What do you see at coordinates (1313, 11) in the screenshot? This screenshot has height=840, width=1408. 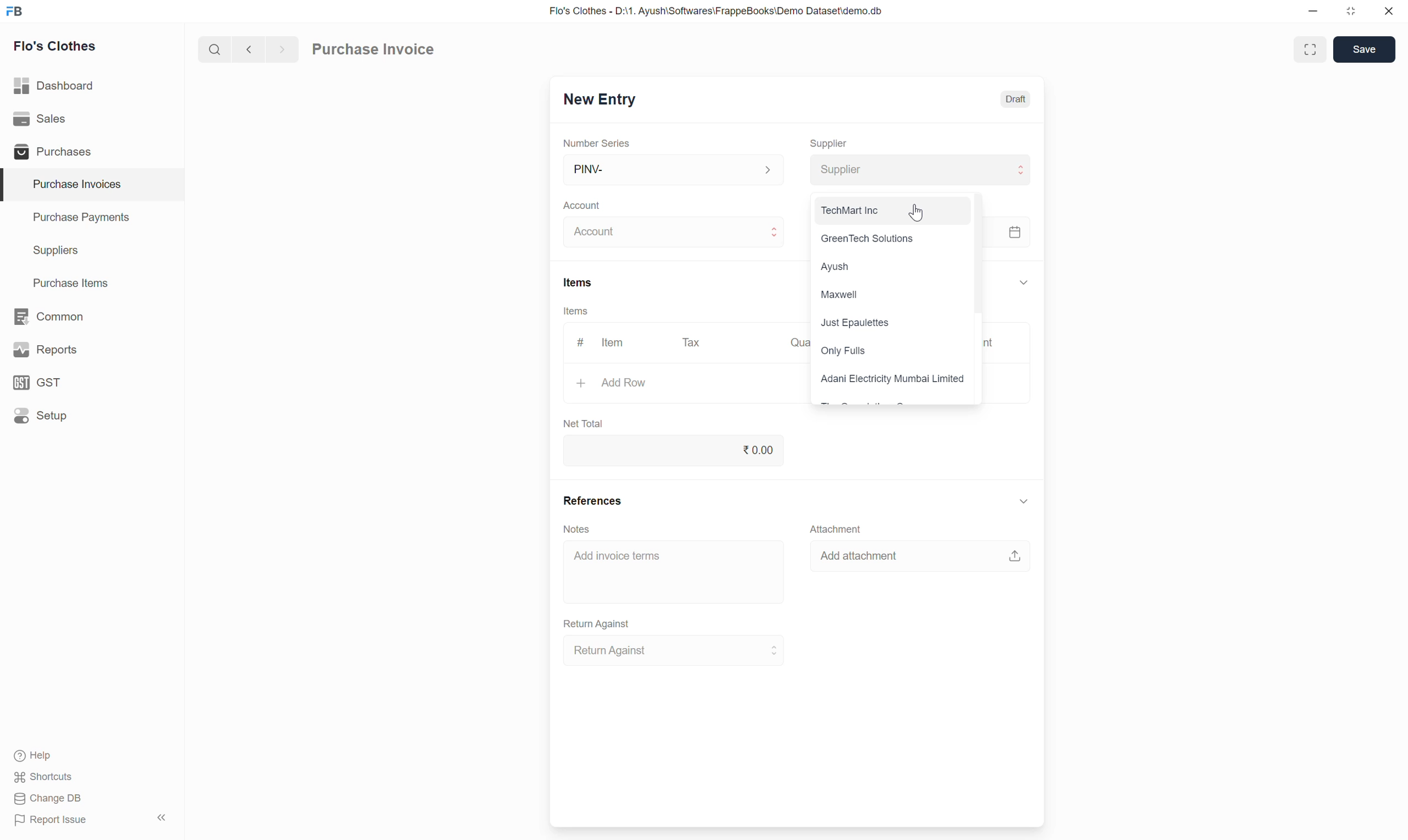 I see `Minimize` at bounding box center [1313, 11].